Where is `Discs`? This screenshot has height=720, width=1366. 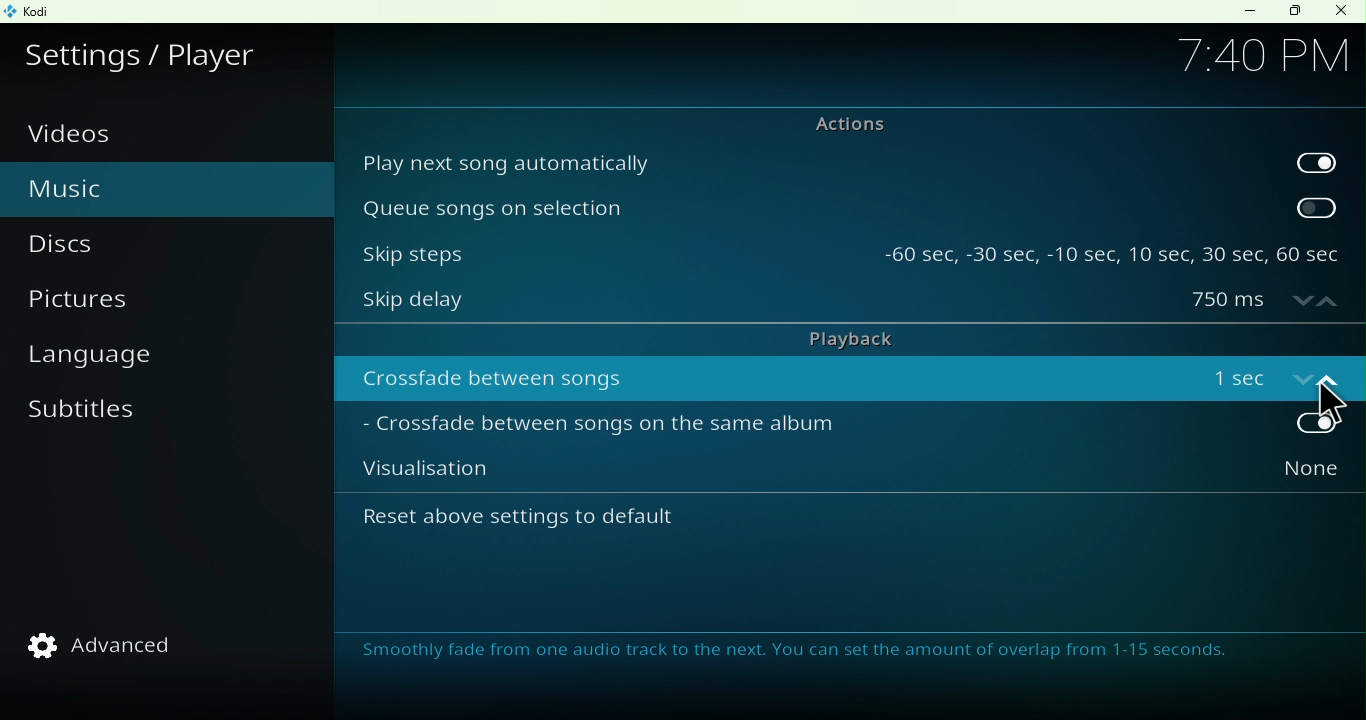 Discs is located at coordinates (91, 245).